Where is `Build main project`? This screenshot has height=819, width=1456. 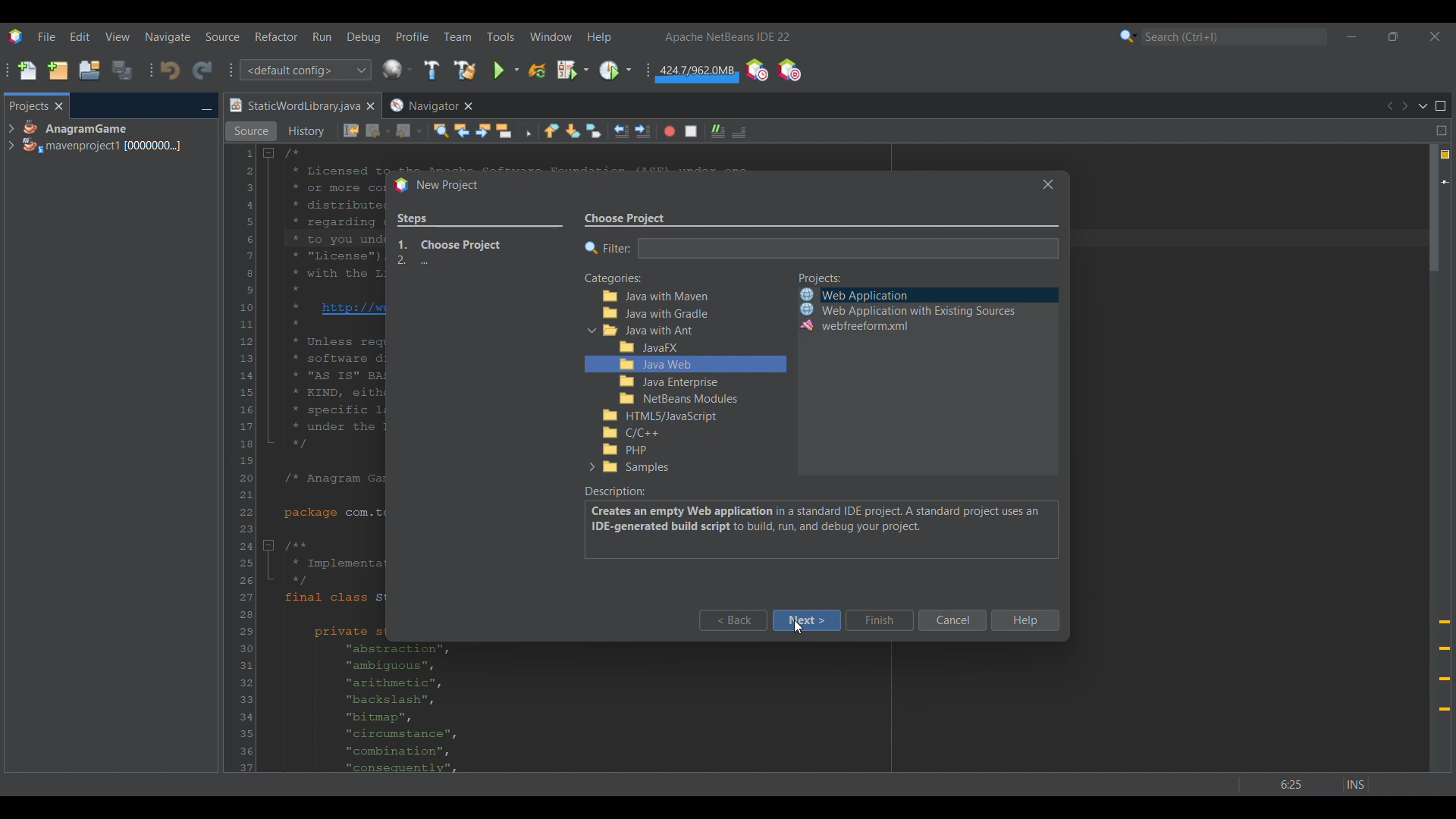 Build main project is located at coordinates (431, 70).